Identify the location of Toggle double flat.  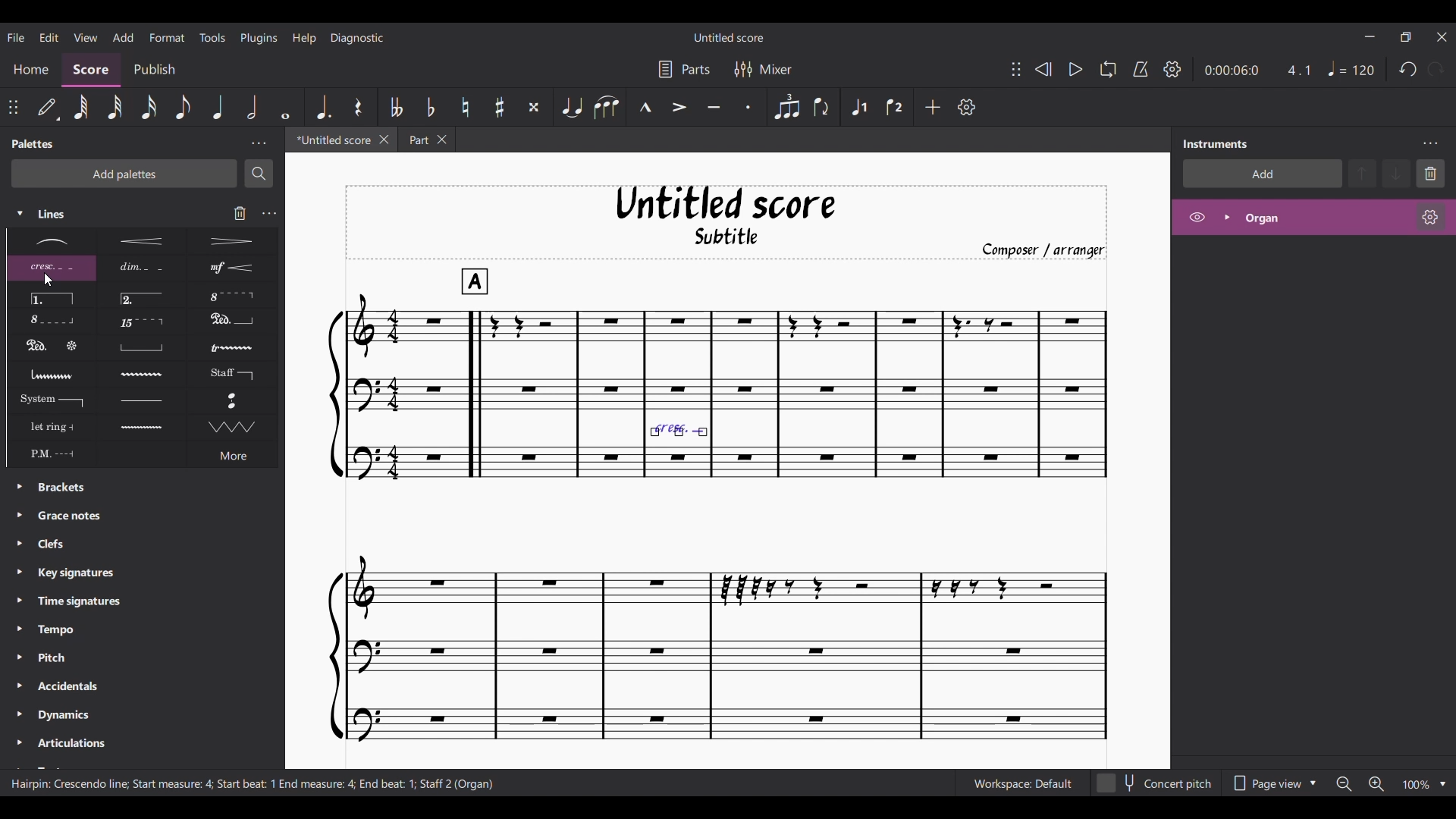
(397, 106).